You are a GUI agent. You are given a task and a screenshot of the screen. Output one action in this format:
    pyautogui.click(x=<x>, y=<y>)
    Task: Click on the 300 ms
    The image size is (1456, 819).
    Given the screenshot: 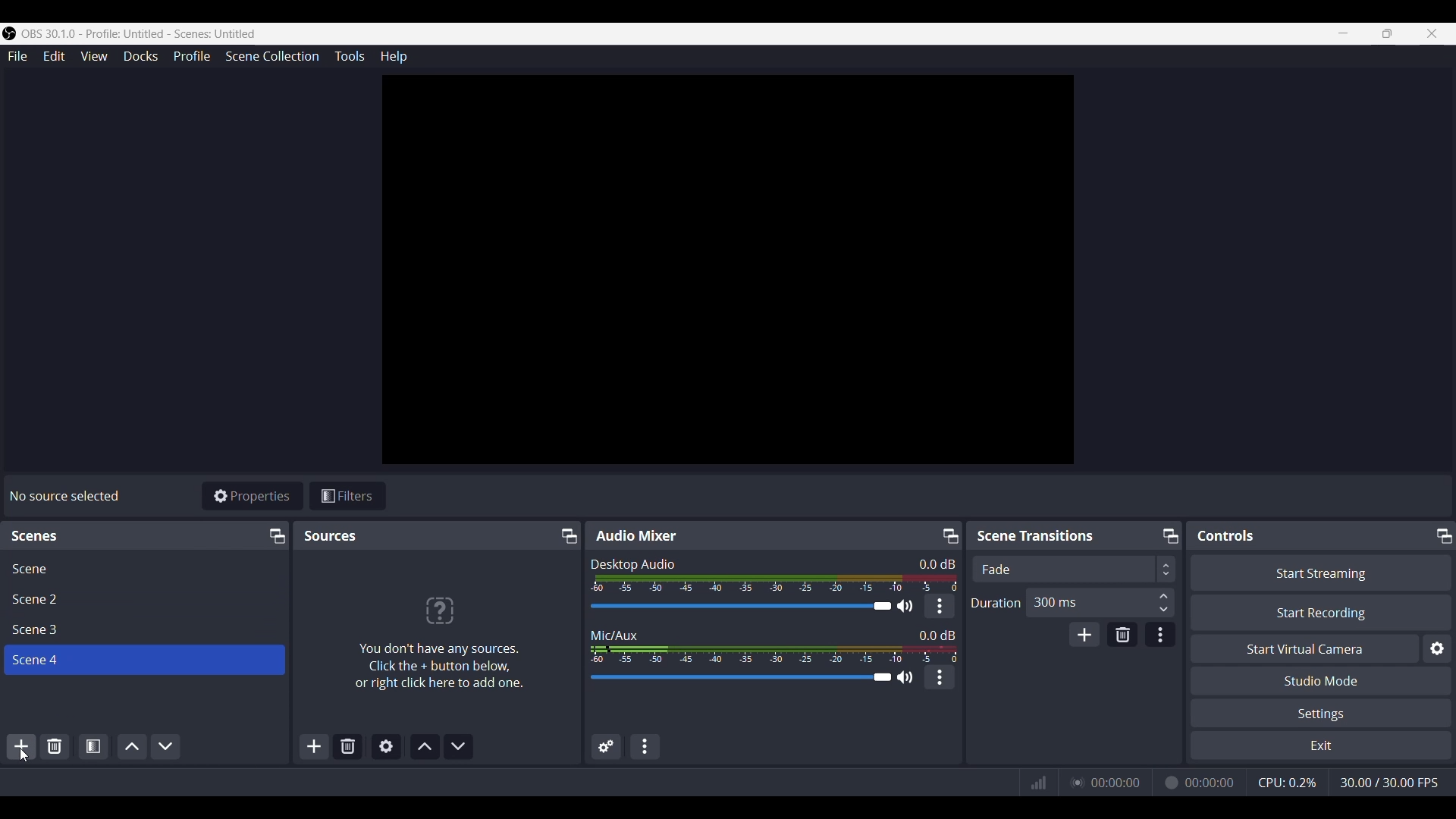 What is the action you would take?
    pyautogui.click(x=1103, y=603)
    